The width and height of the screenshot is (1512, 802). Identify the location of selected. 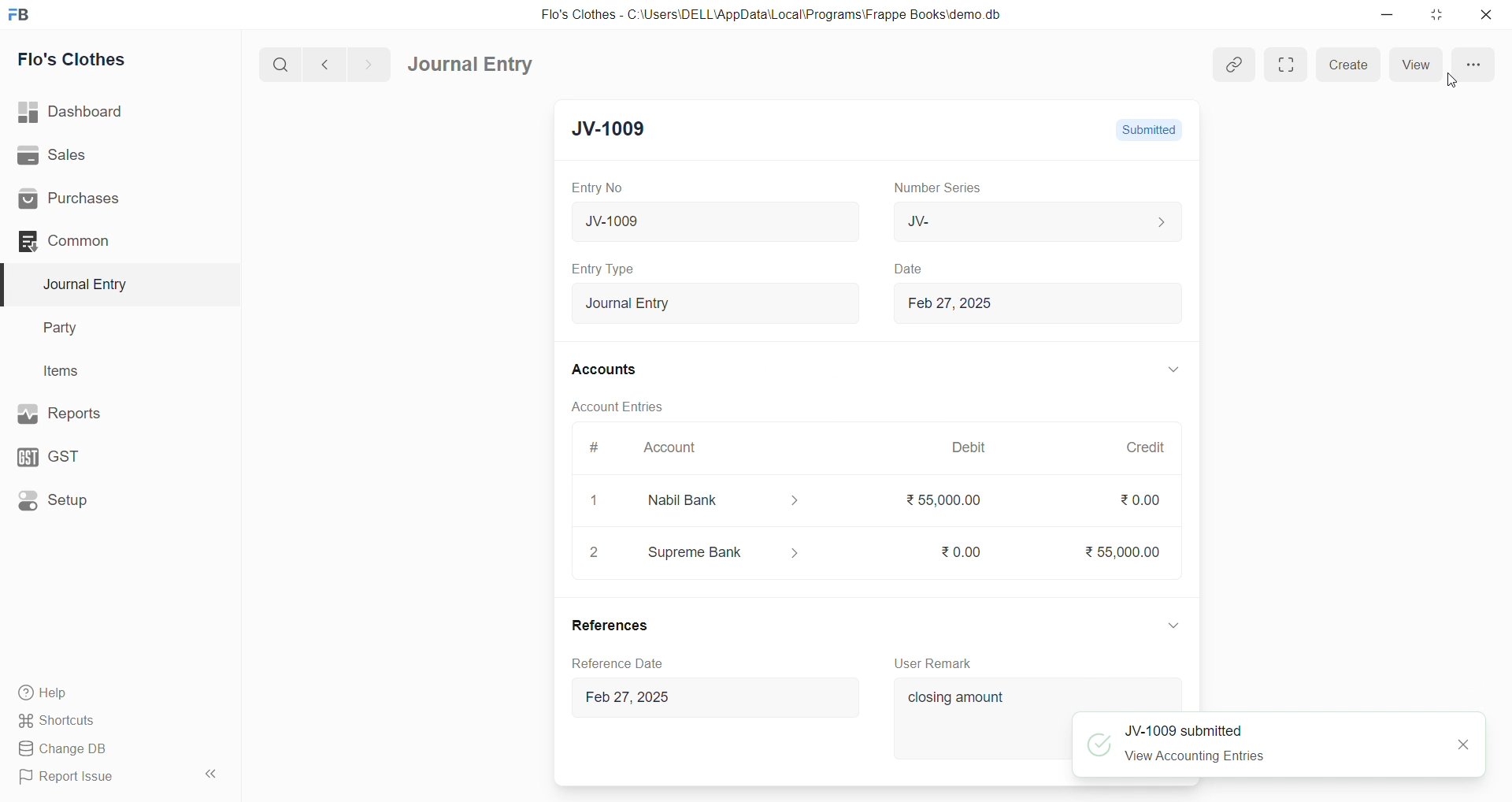
(9, 284).